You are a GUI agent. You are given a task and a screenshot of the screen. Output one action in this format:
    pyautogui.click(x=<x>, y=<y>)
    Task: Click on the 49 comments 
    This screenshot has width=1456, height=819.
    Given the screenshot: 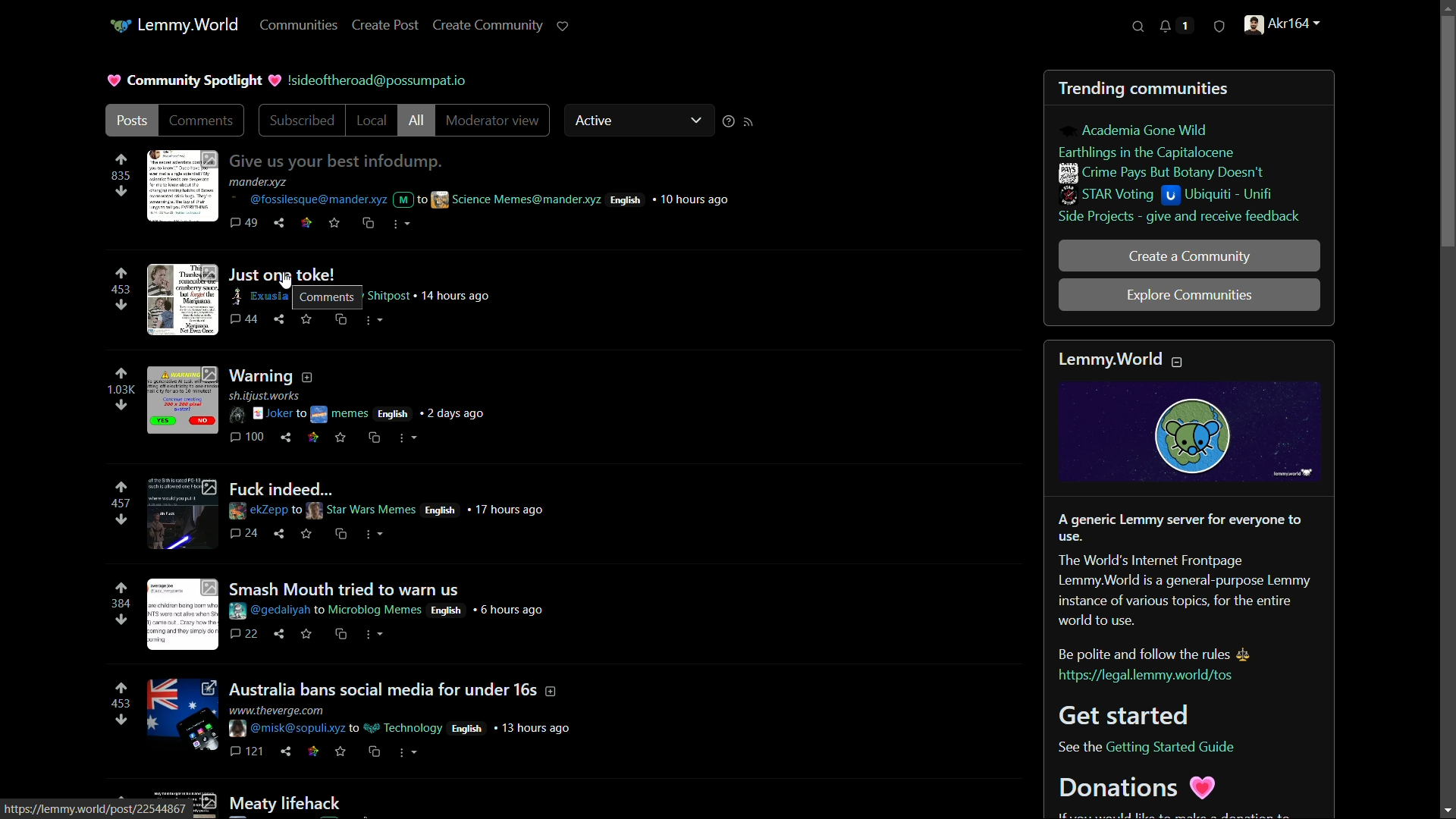 What is the action you would take?
    pyautogui.click(x=245, y=221)
    